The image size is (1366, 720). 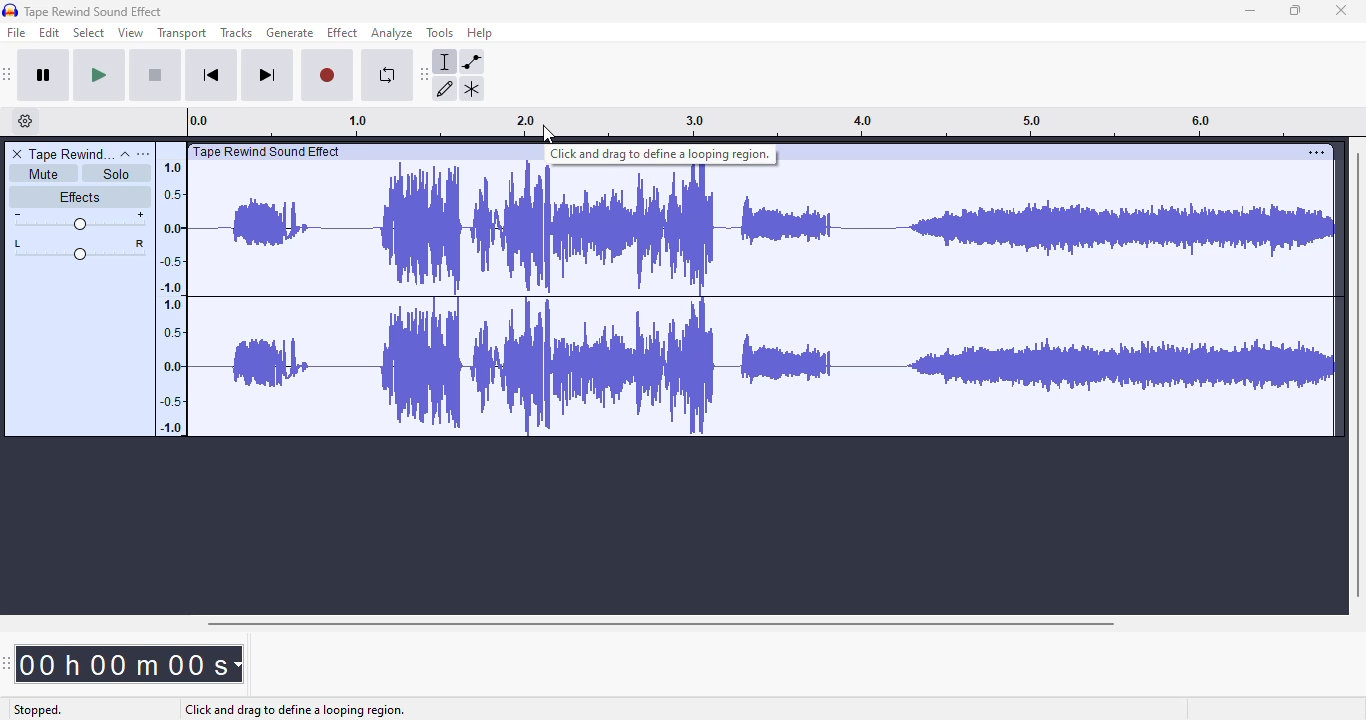 I want to click on timeline options, so click(x=27, y=121).